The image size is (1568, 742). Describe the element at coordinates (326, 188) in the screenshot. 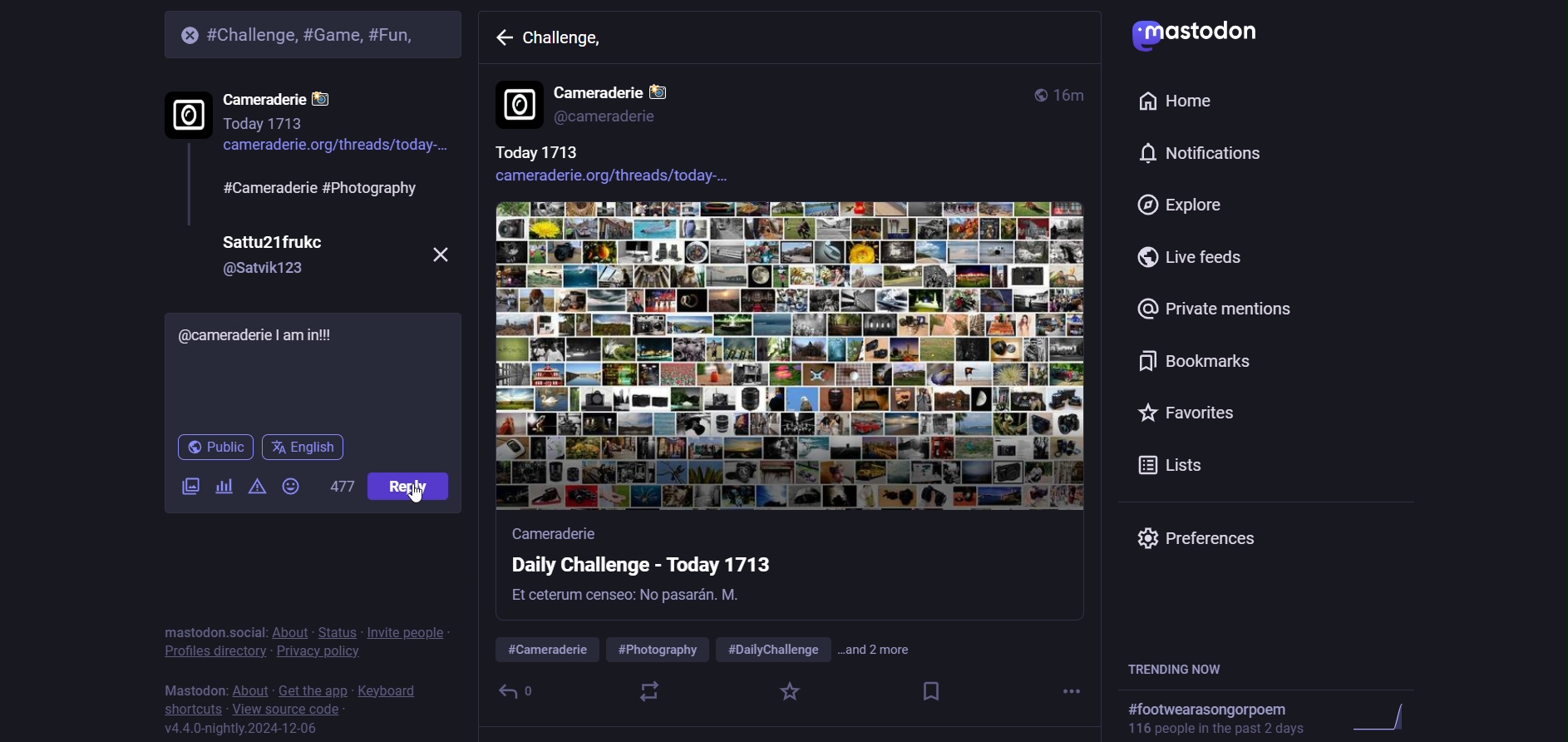

I see `#Cameraderie #Photography` at that location.